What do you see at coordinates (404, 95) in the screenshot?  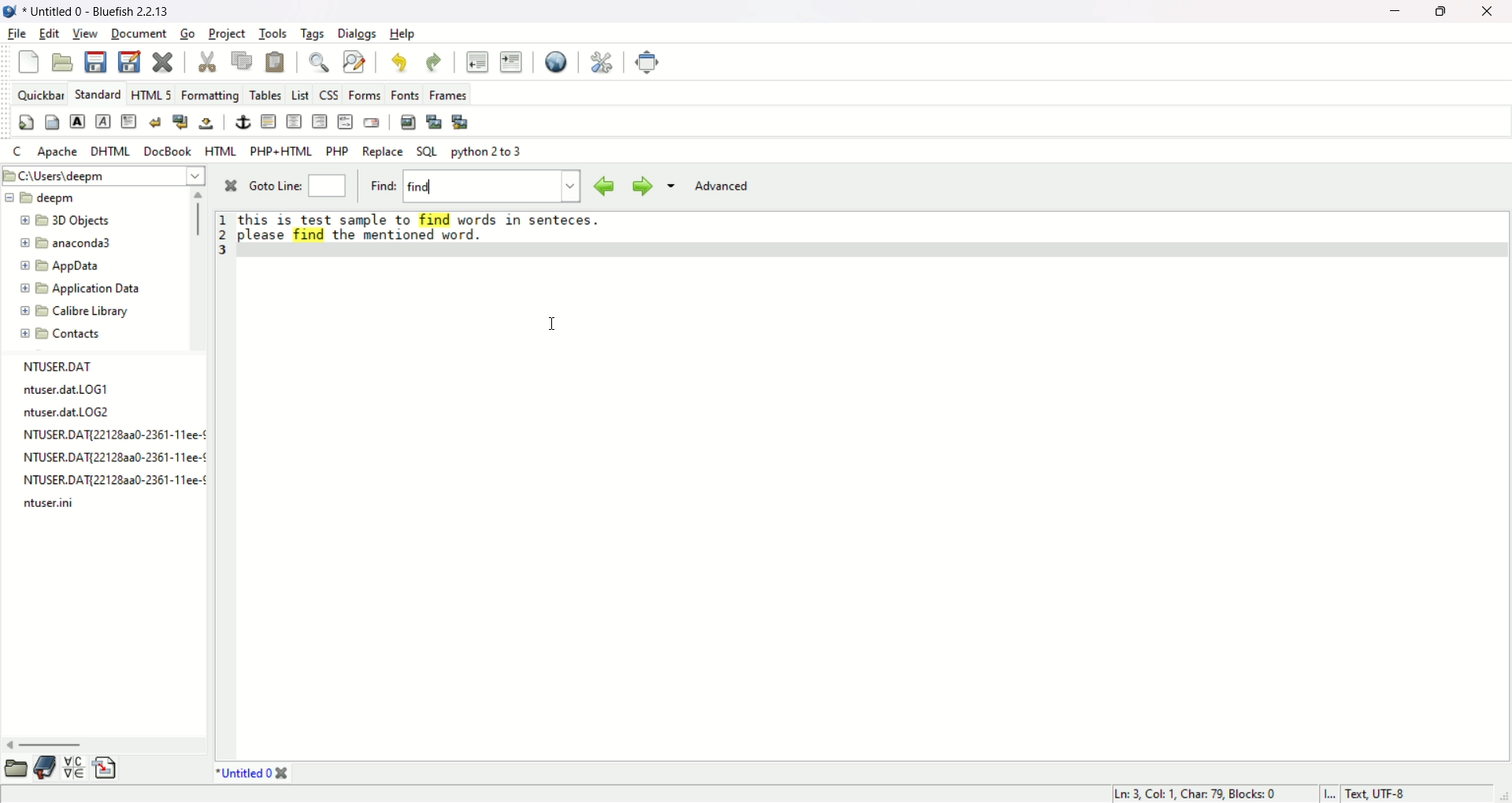 I see `fonts` at bounding box center [404, 95].